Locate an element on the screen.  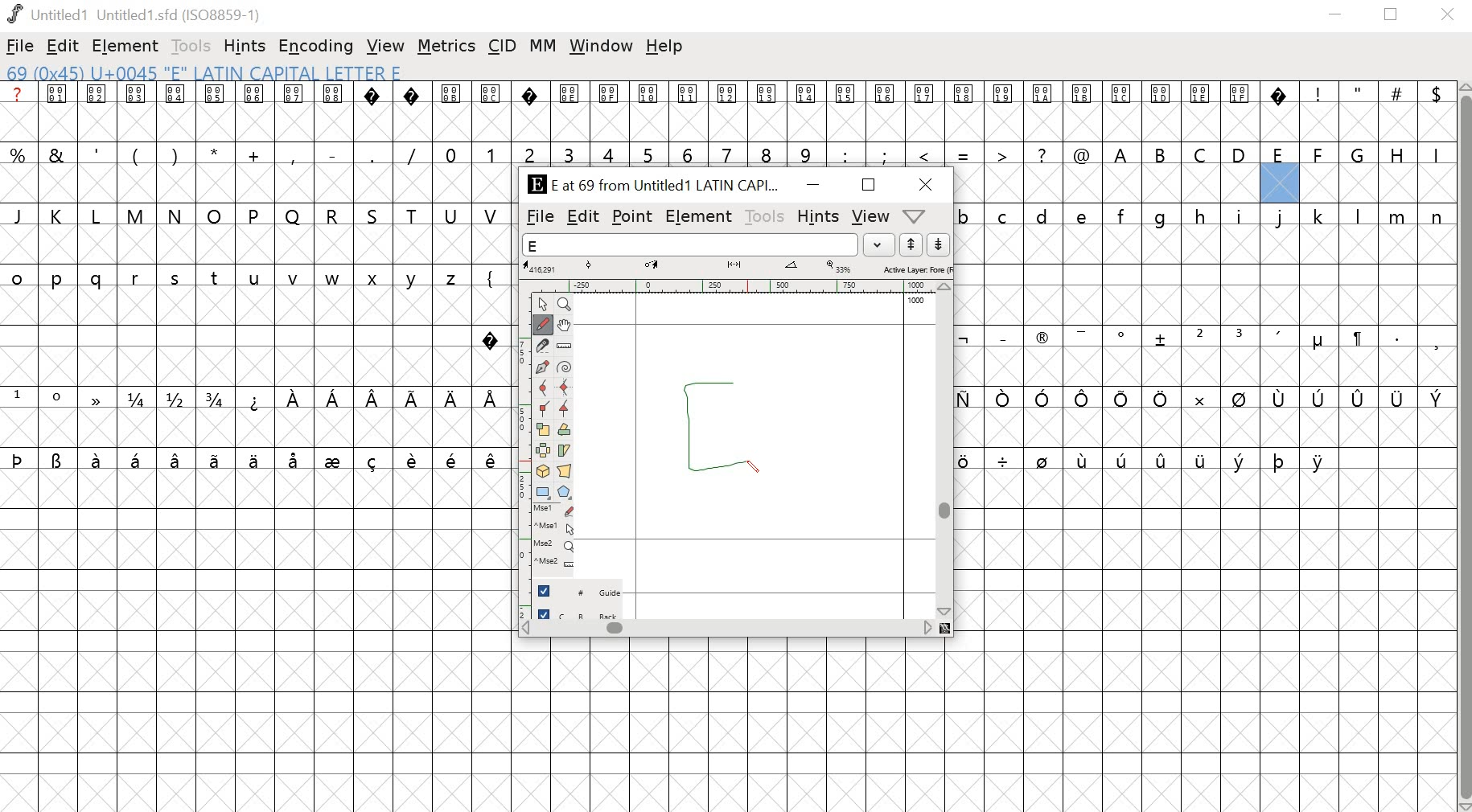
lowercase alphabets is located at coordinates (257, 277).